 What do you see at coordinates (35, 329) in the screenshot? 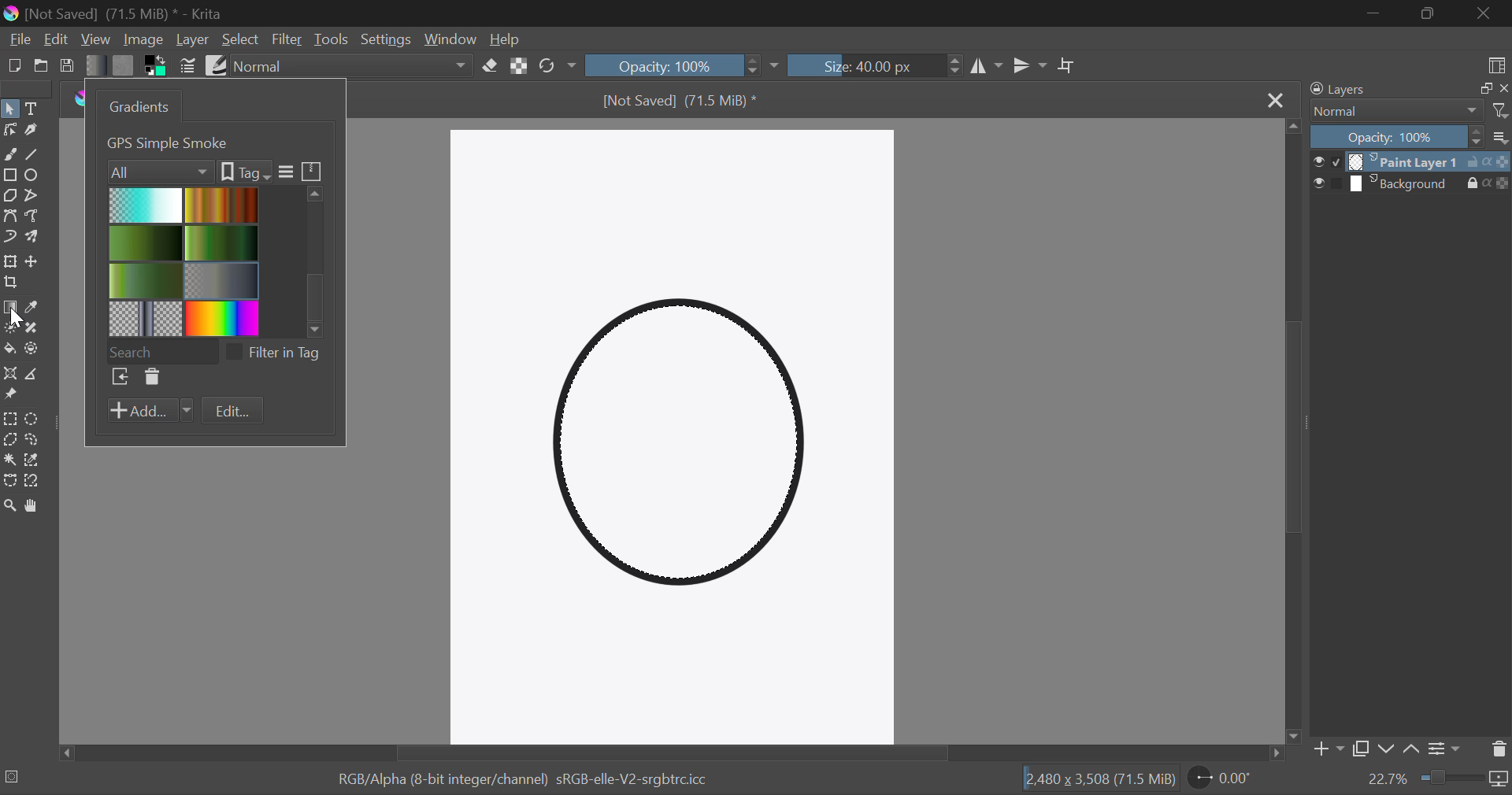
I see `Smart Patch Tool` at bounding box center [35, 329].